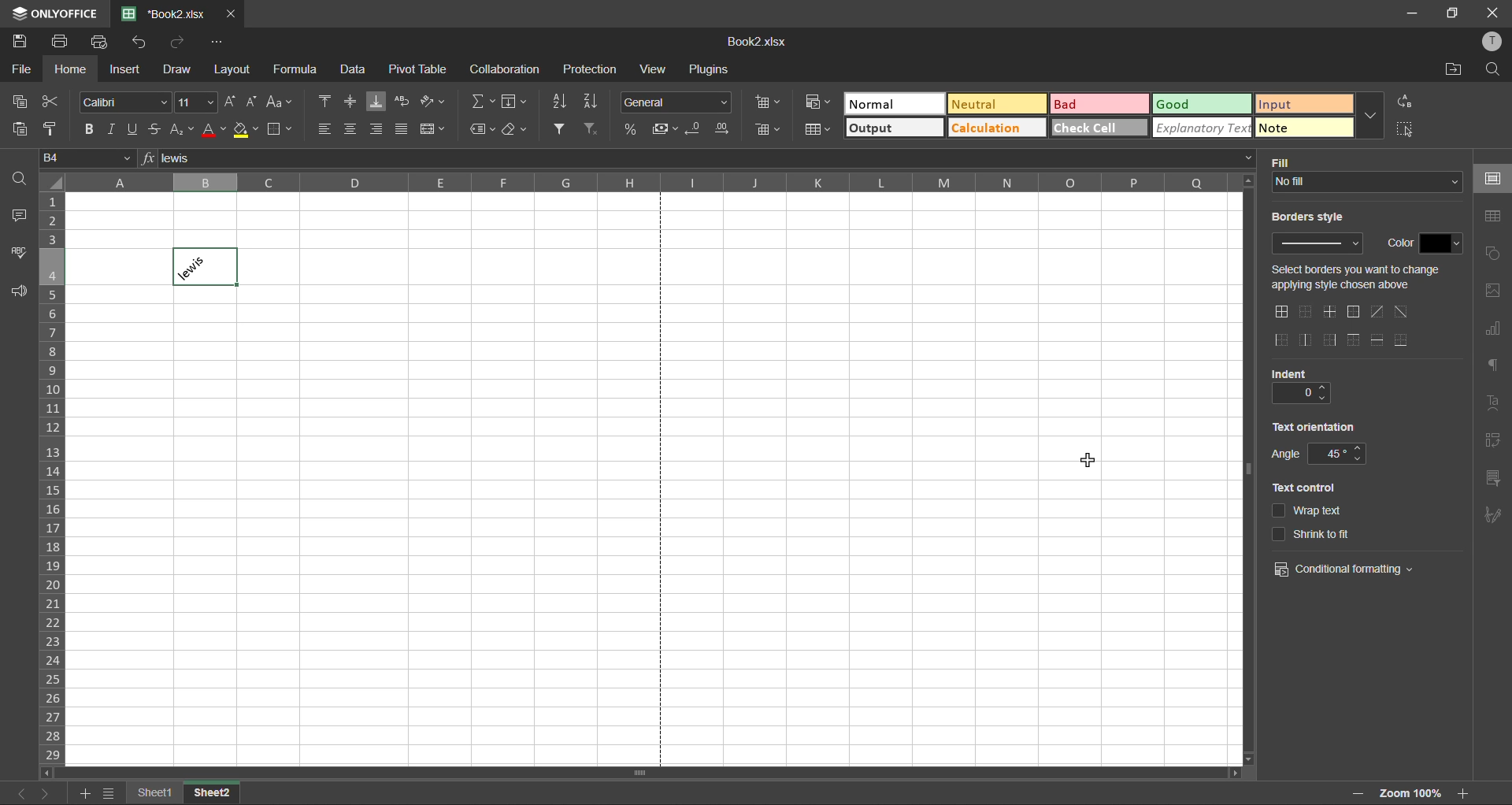 The width and height of the screenshot is (1512, 805). What do you see at coordinates (254, 104) in the screenshot?
I see `decrement size` at bounding box center [254, 104].